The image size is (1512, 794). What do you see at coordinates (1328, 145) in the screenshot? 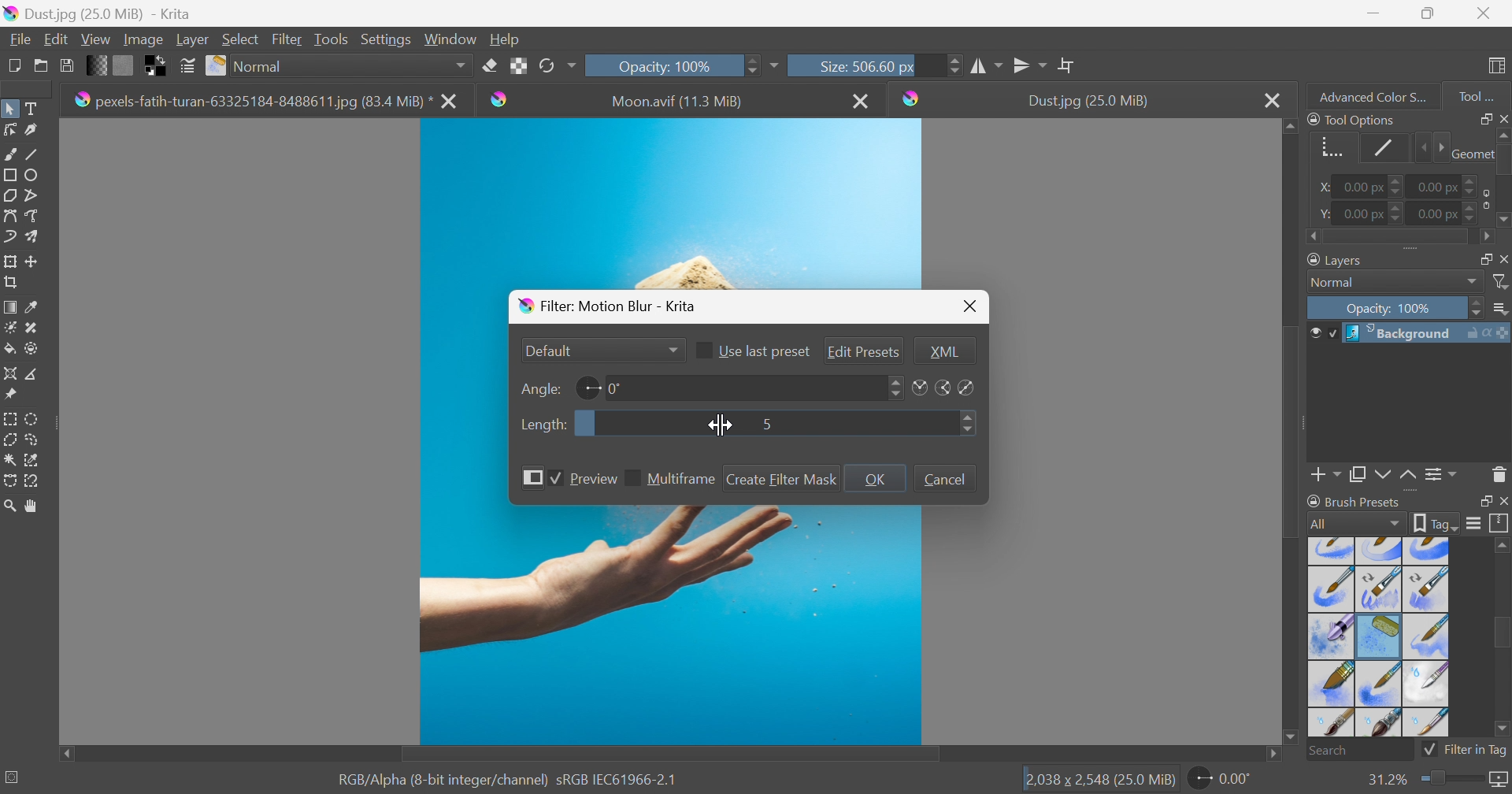
I see `Geometry` at bounding box center [1328, 145].